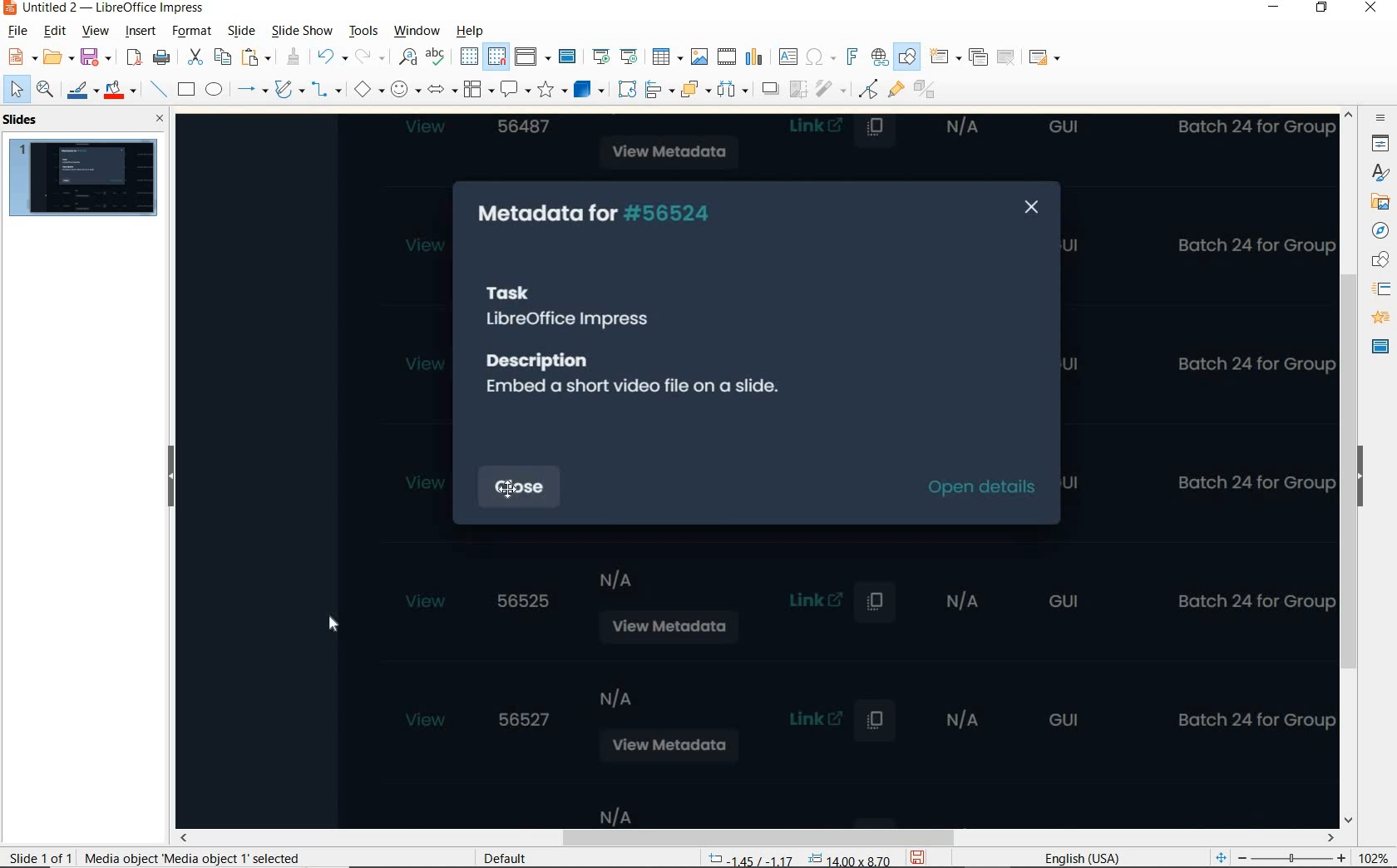  I want to click on INSERT LINE, so click(159, 90).